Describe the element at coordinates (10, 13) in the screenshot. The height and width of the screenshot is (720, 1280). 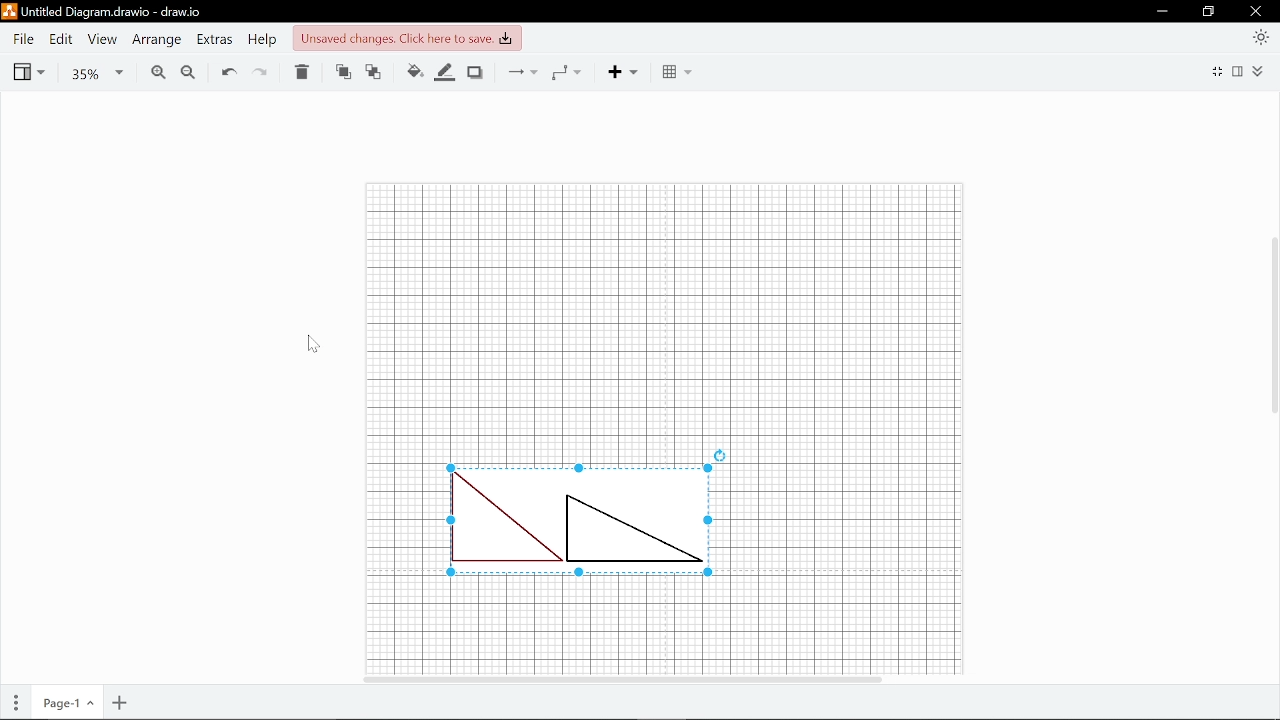
I see `logo` at that location.